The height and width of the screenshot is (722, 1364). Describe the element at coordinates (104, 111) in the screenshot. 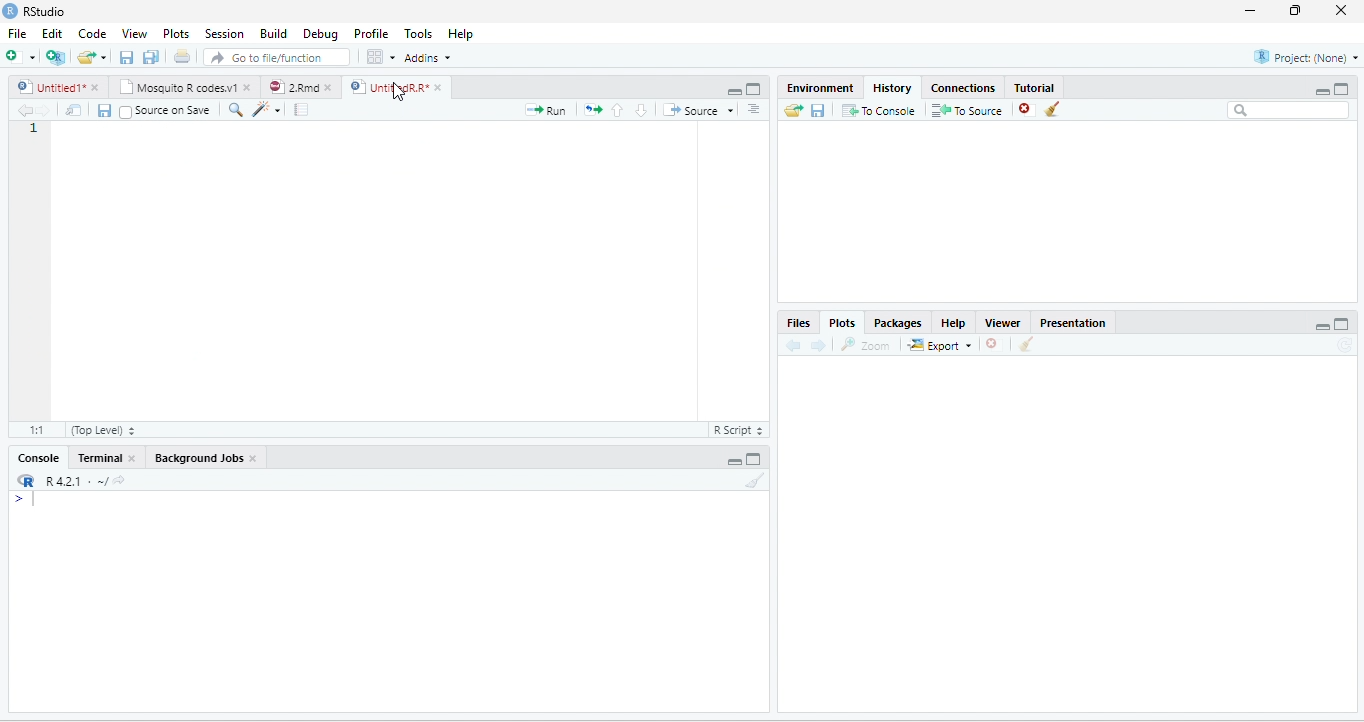

I see `Save current document` at that location.